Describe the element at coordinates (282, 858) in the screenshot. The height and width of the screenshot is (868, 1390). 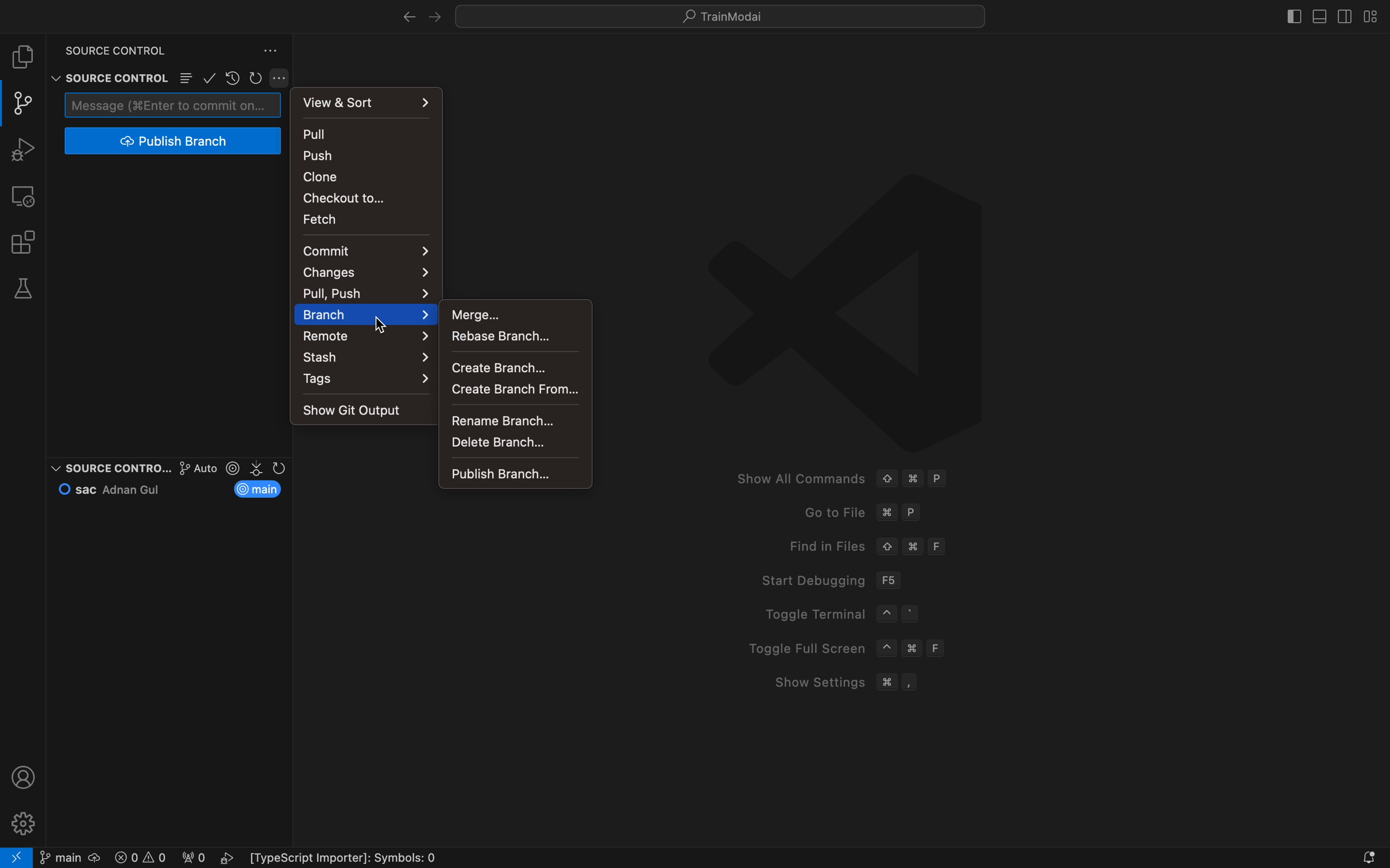
I see `error logs` at that location.